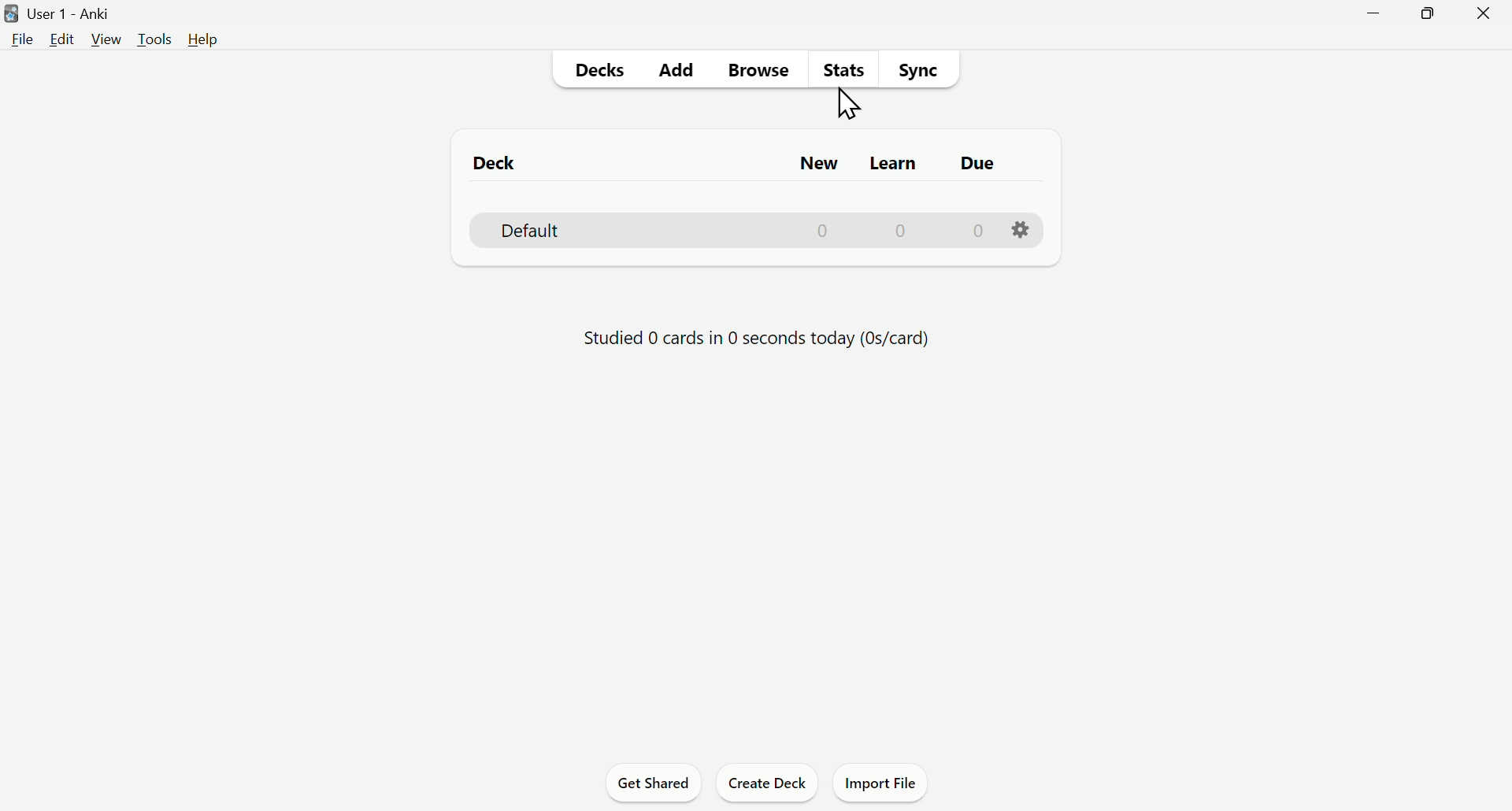 Image resolution: width=1512 pixels, height=811 pixels. I want to click on Help, so click(210, 39).